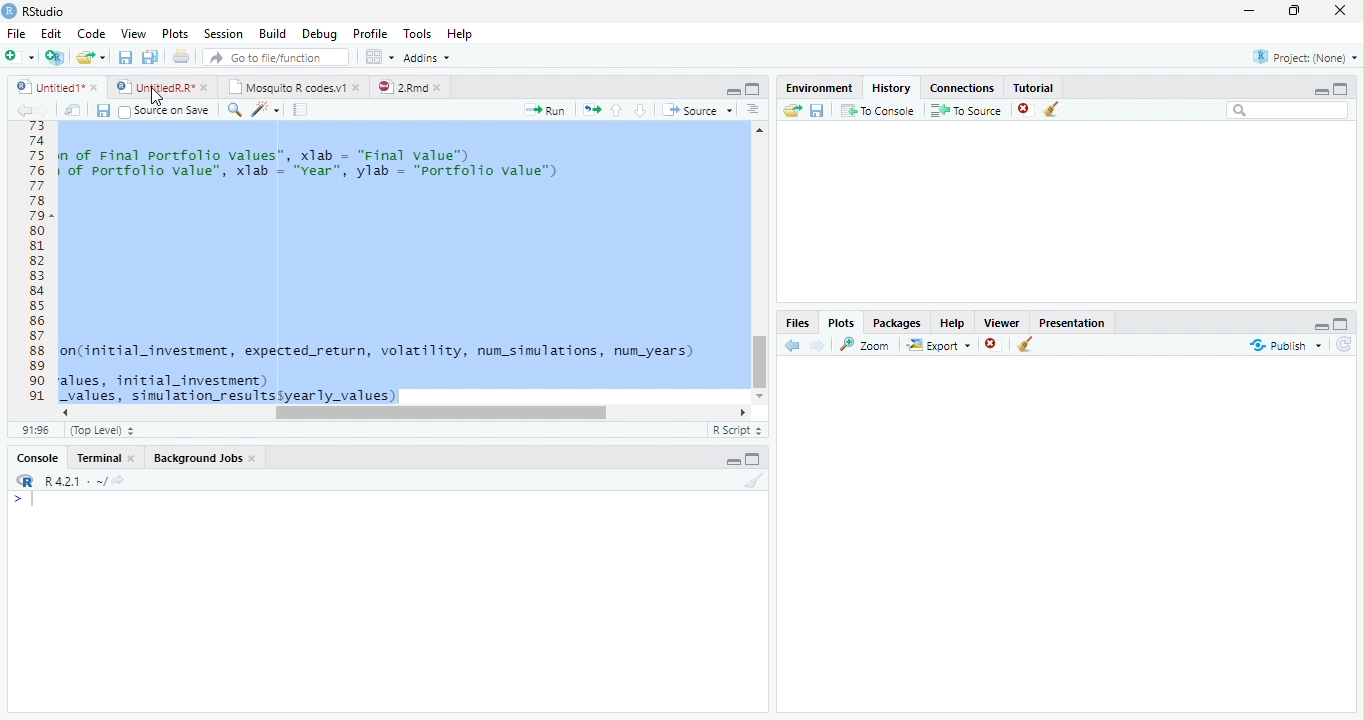  I want to click on Edit, so click(50, 32).